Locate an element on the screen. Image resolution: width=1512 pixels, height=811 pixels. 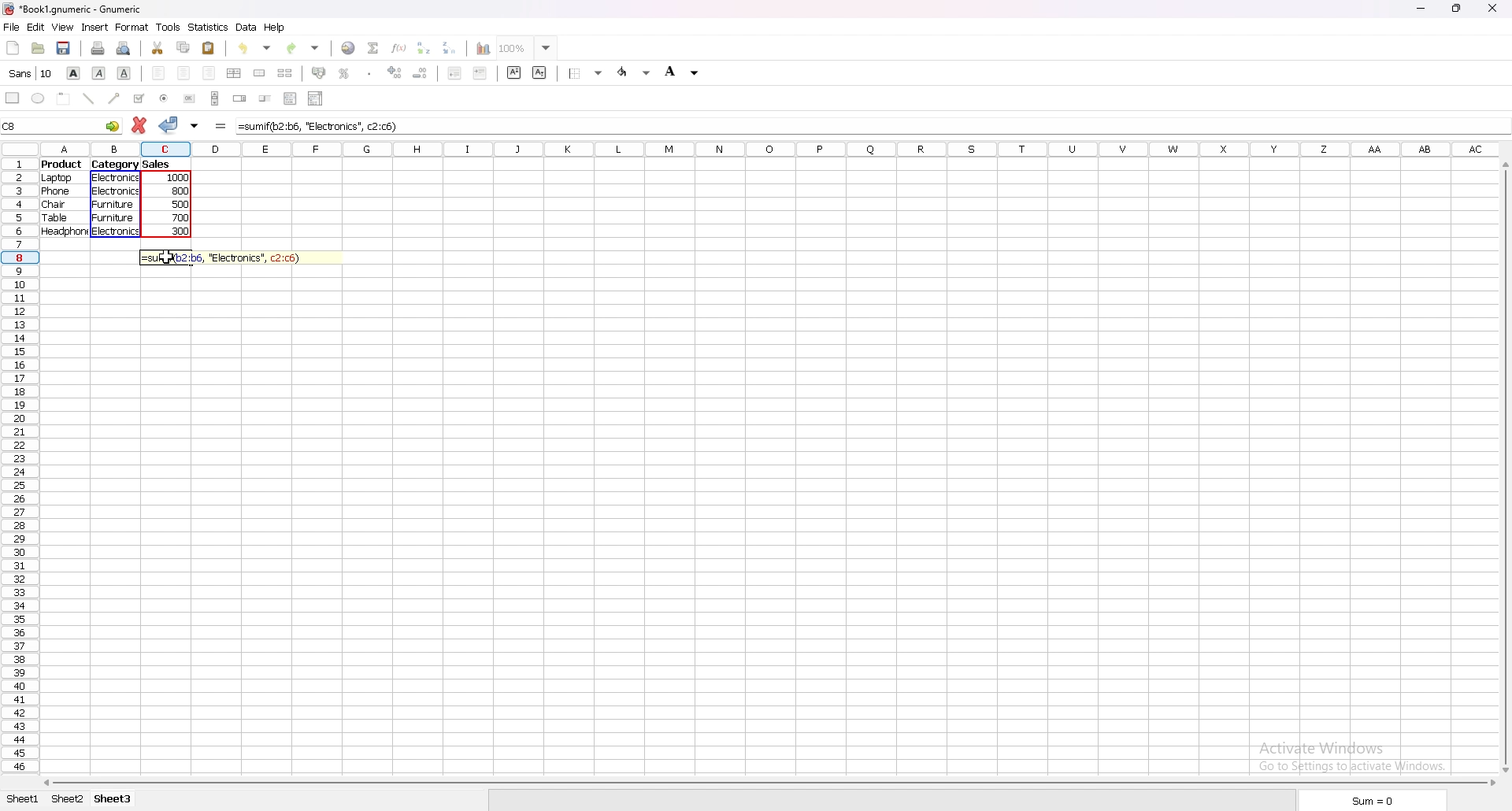
font is located at coordinates (31, 73).